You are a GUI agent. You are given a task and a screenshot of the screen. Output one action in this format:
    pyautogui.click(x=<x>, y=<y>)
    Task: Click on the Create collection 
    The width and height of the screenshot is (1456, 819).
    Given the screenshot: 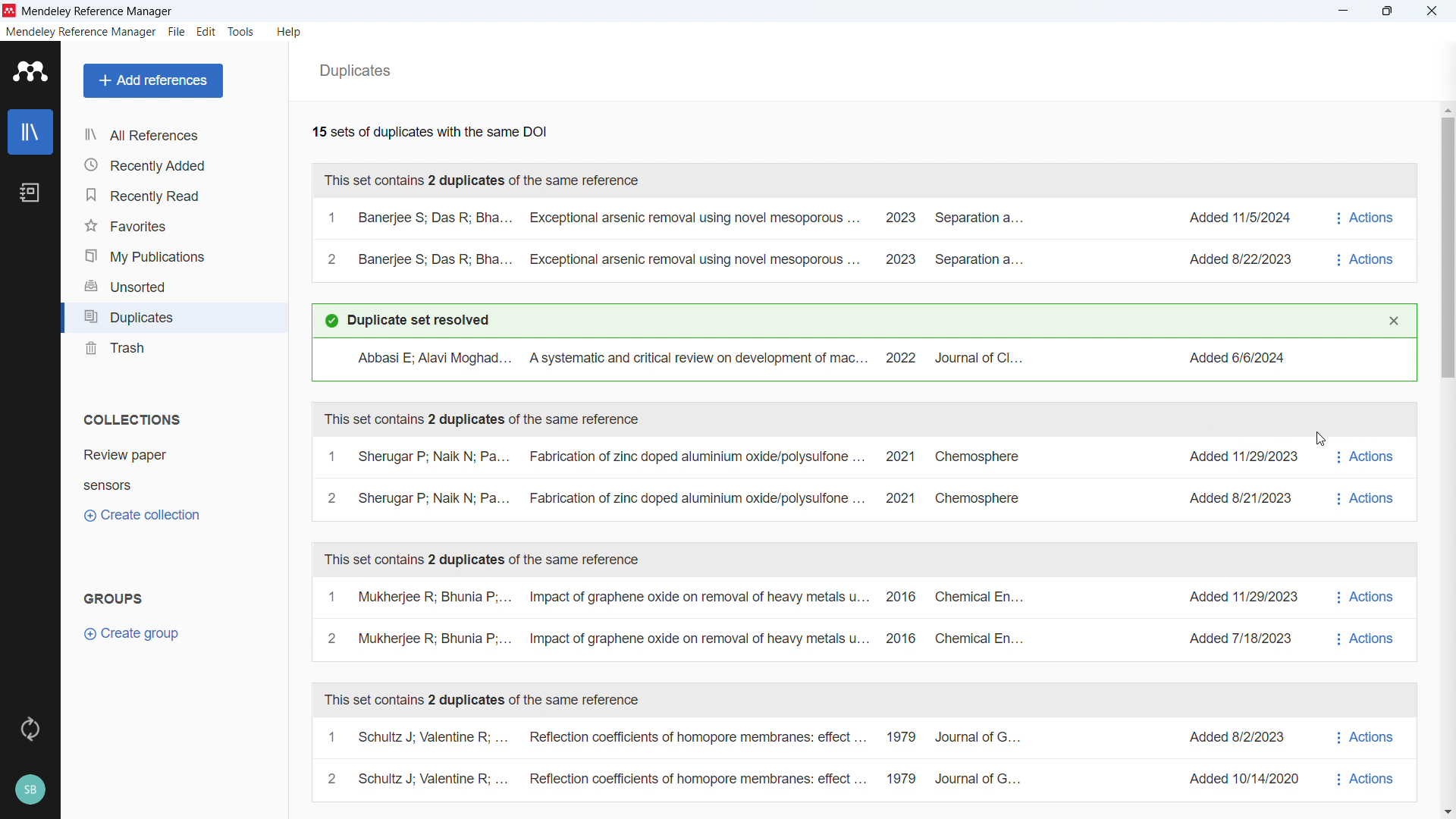 What is the action you would take?
    pyautogui.click(x=145, y=516)
    